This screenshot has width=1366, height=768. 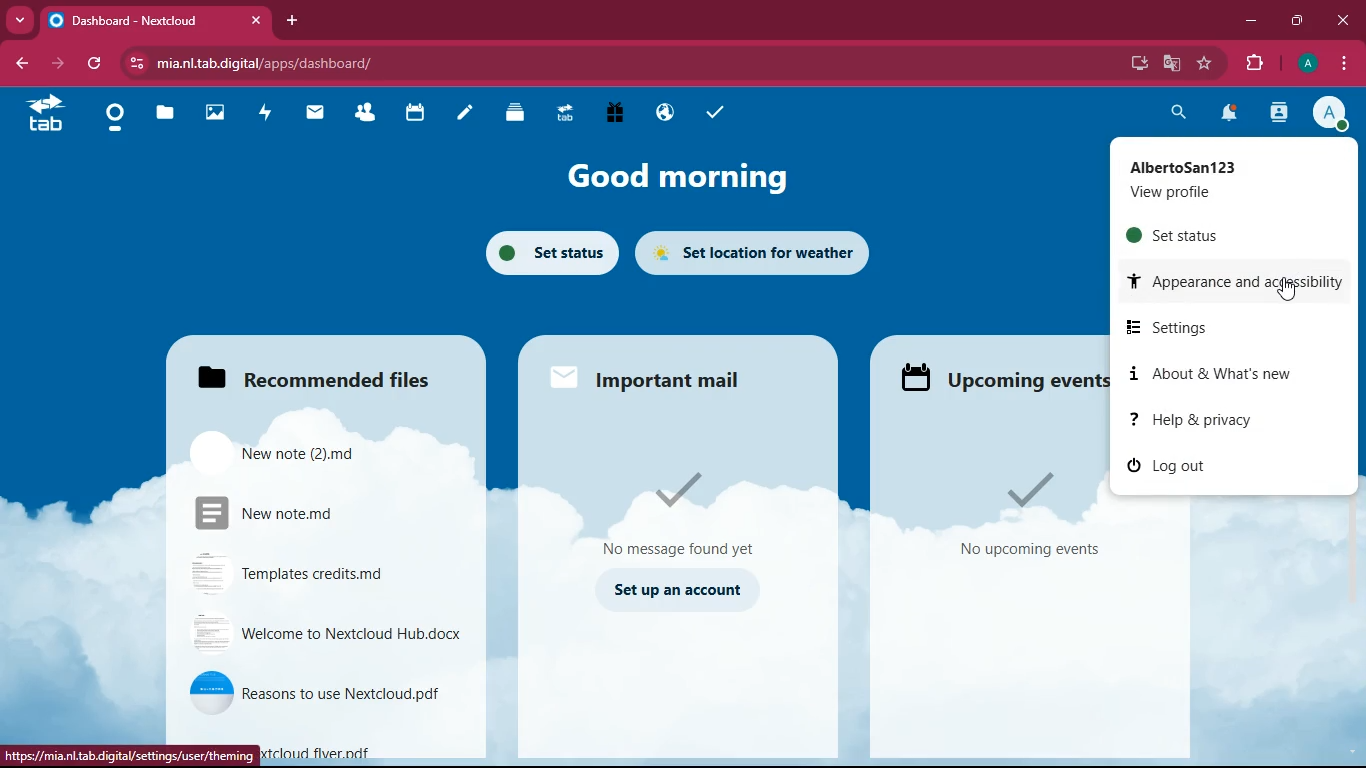 What do you see at coordinates (613, 112) in the screenshot?
I see `gift` at bounding box center [613, 112].